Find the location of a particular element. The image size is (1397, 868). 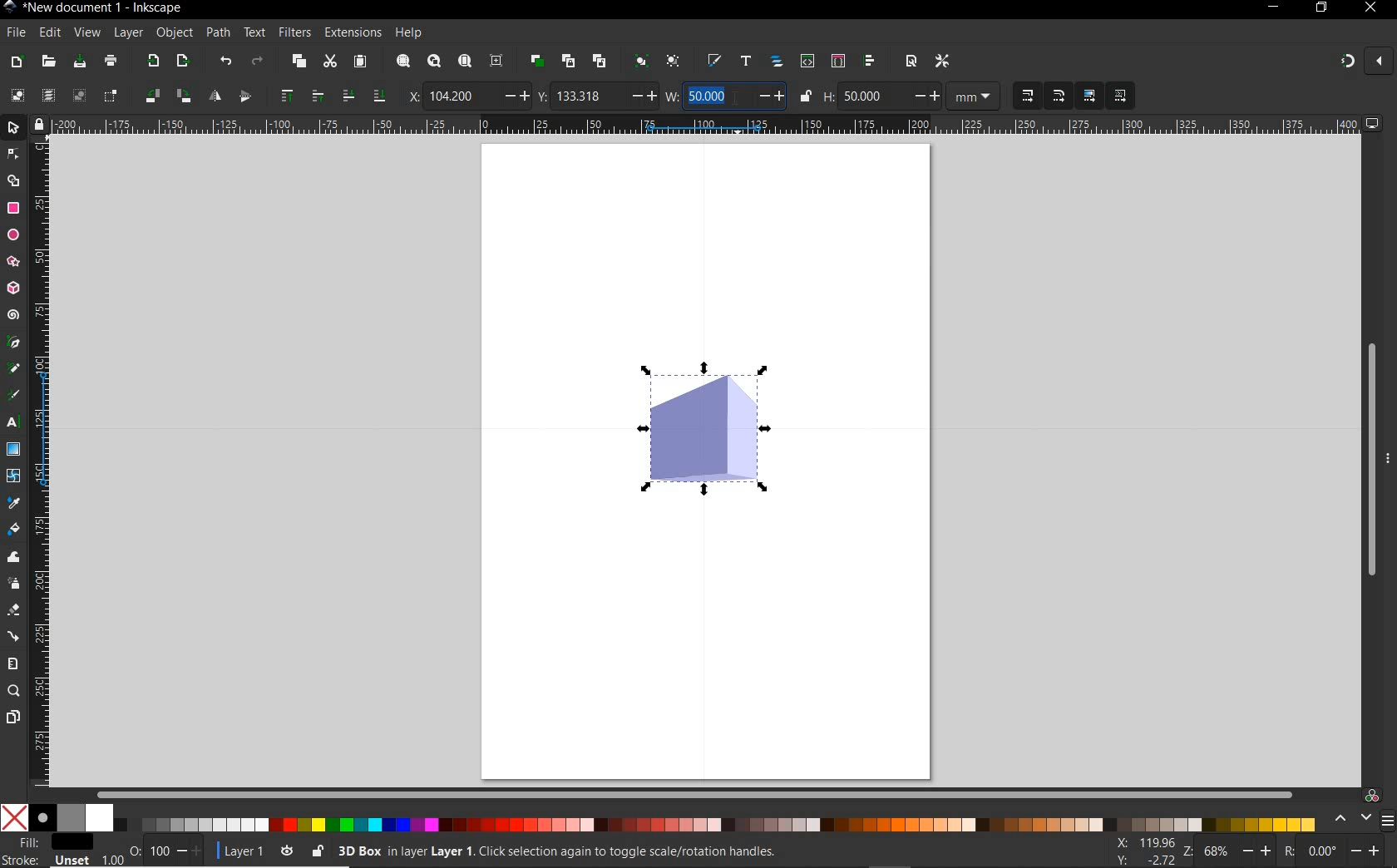

restore down is located at coordinates (1321, 8).